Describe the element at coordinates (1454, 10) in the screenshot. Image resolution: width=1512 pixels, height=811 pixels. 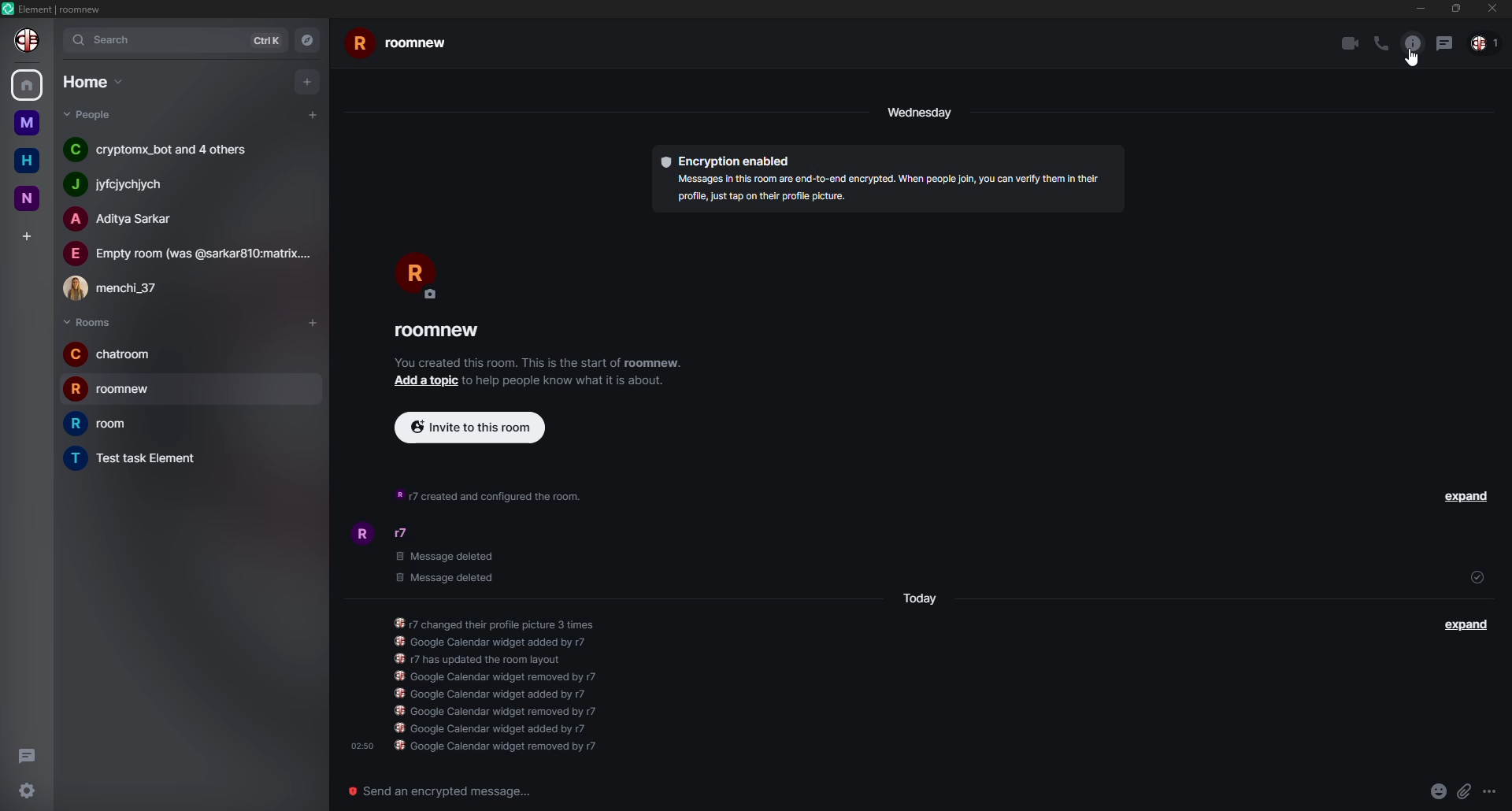
I see `max` at that location.